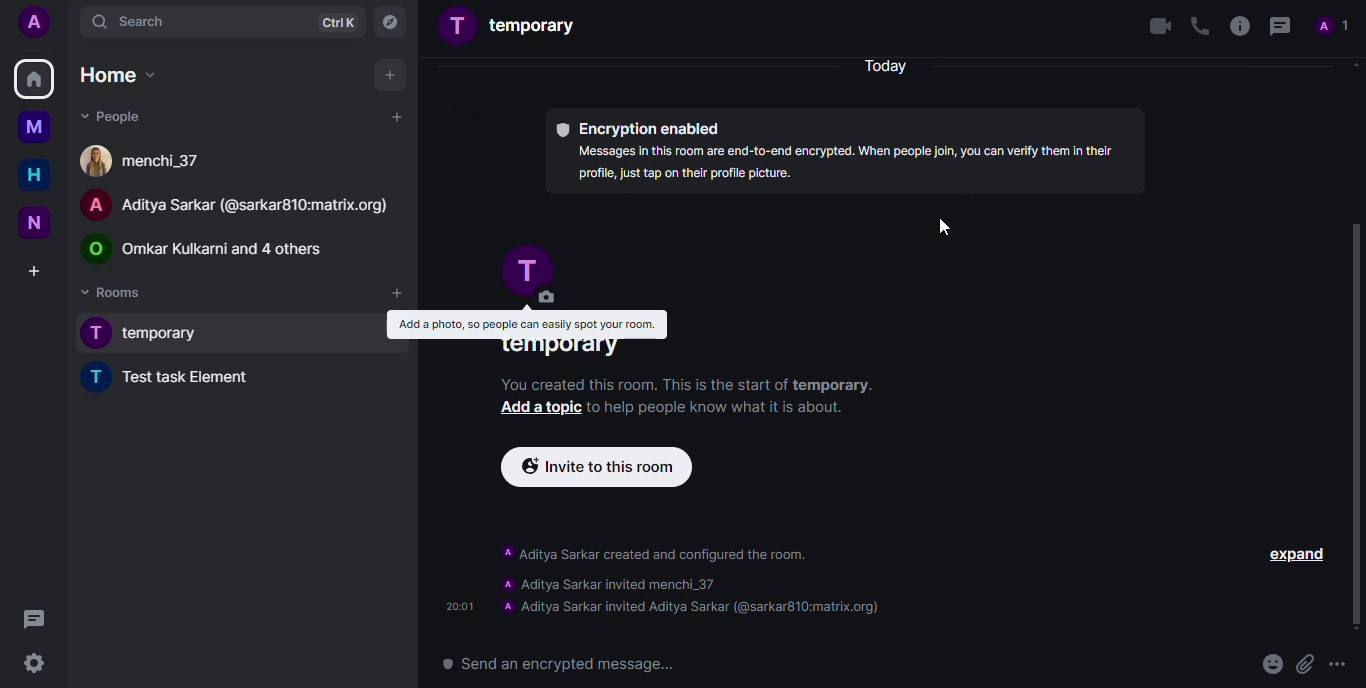  Describe the element at coordinates (882, 65) in the screenshot. I see `today` at that location.